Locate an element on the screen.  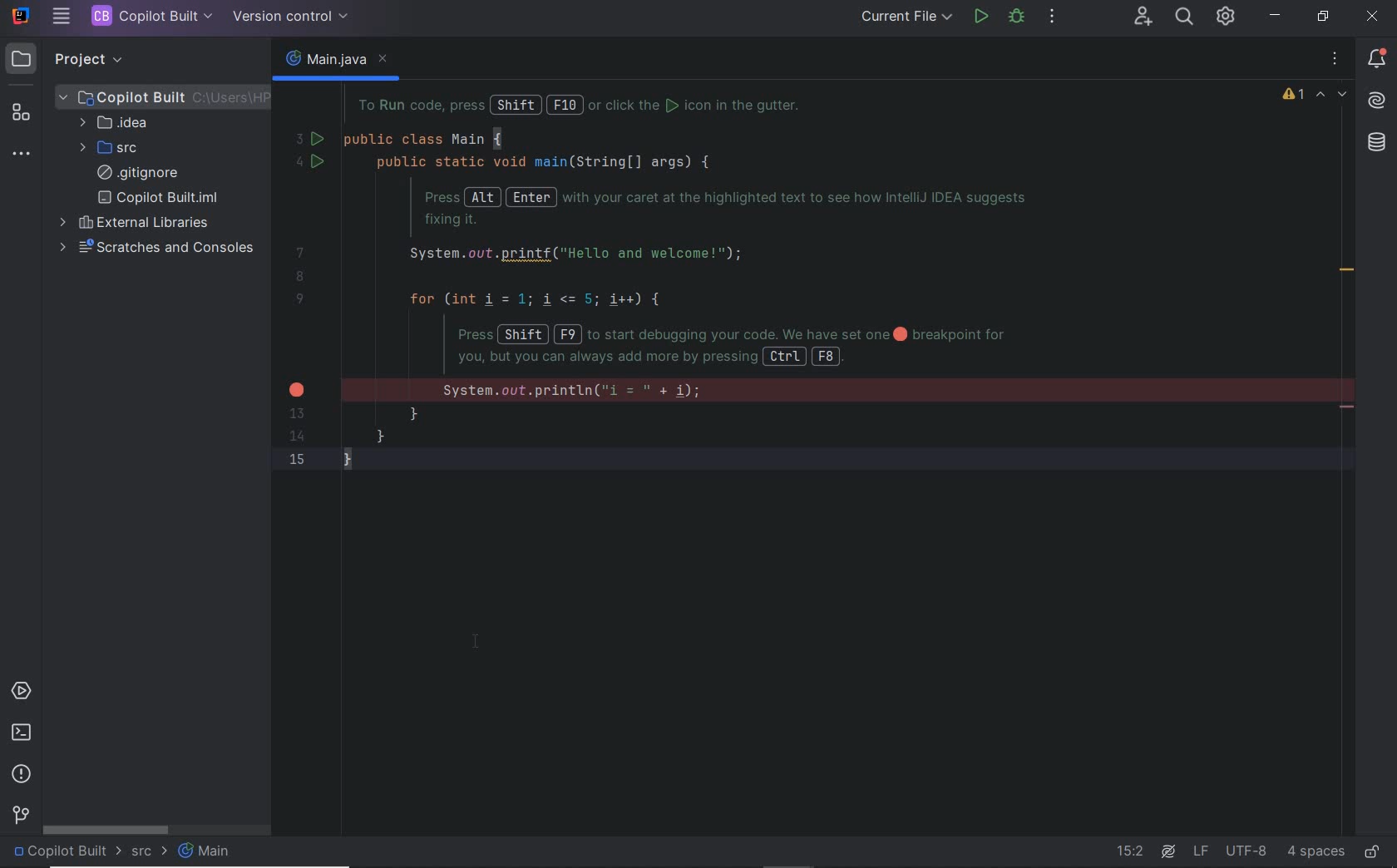
highlighted errors is located at coordinates (1332, 96).